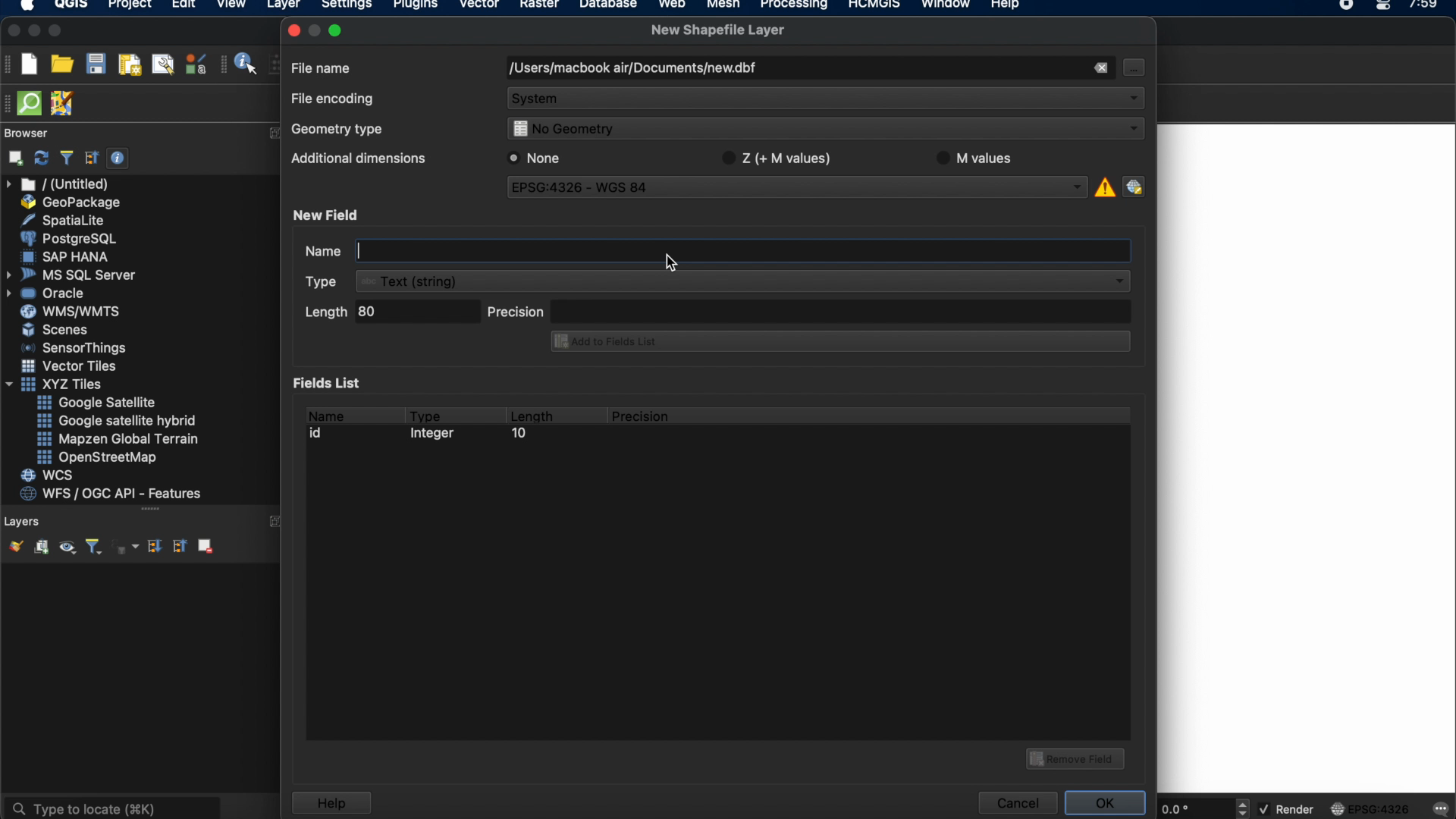  What do you see at coordinates (436, 435) in the screenshot?
I see `integer` at bounding box center [436, 435].